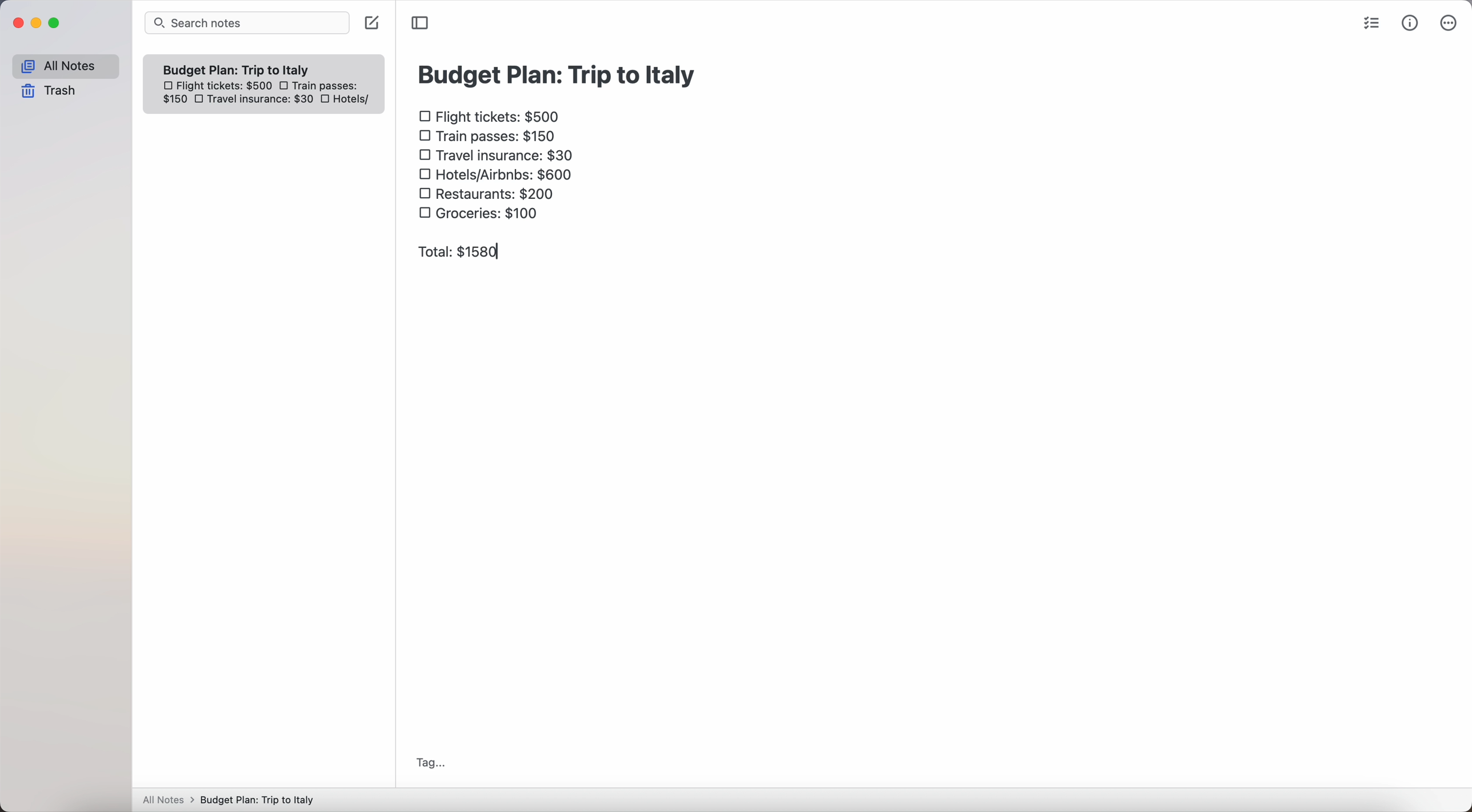 Image resolution: width=1472 pixels, height=812 pixels. What do you see at coordinates (421, 22) in the screenshot?
I see `toggle sidebar` at bounding box center [421, 22].